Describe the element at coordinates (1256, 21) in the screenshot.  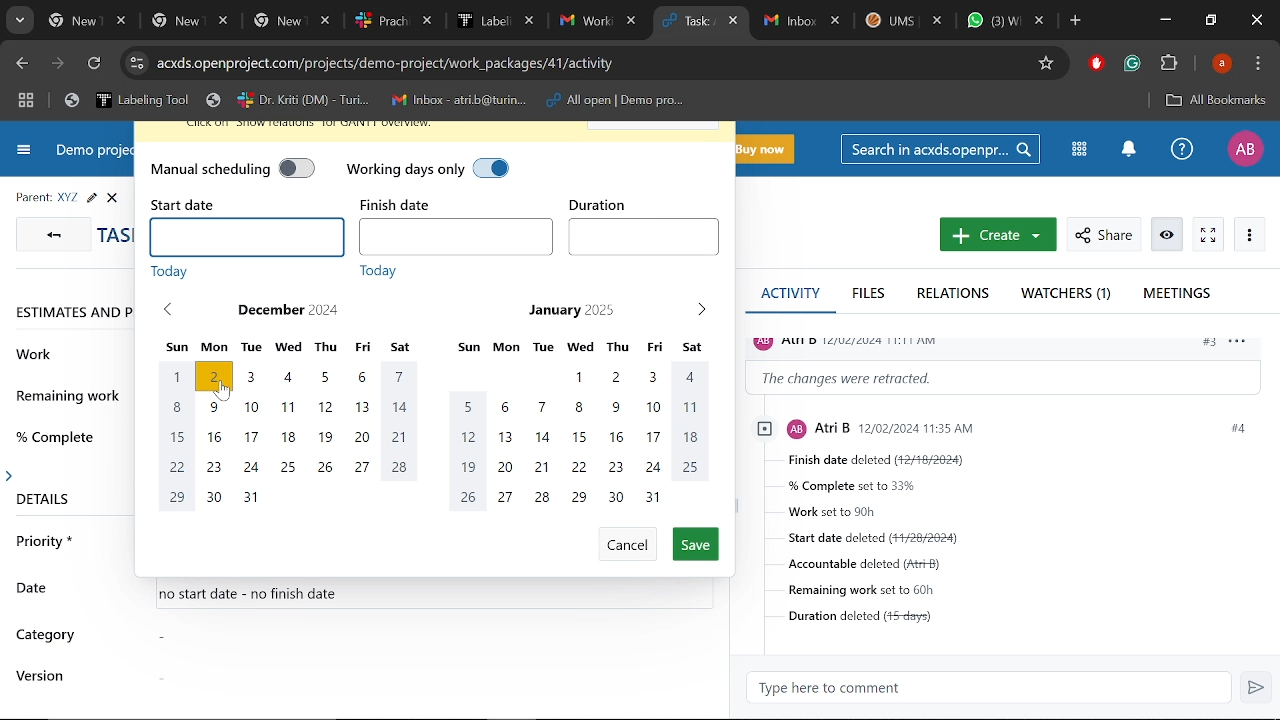
I see `Close` at that location.